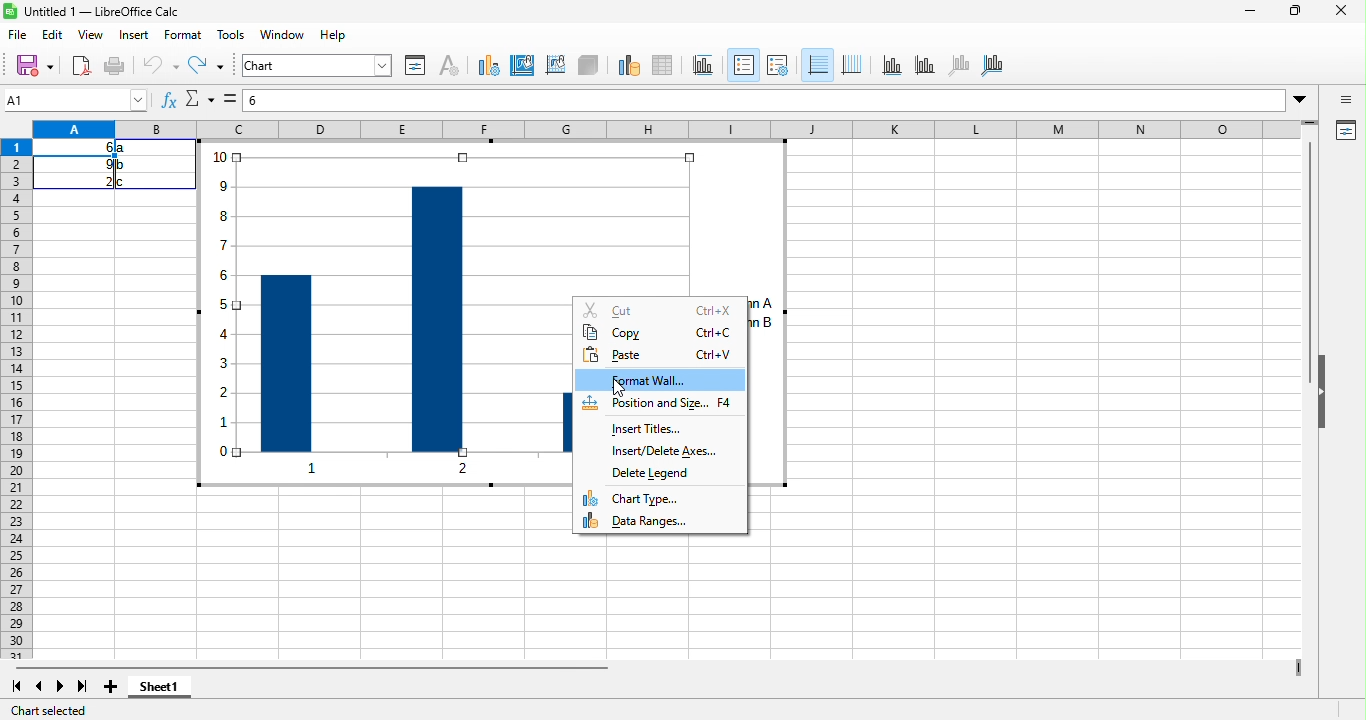 This screenshot has width=1366, height=720. What do you see at coordinates (316, 66) in the screenshot?
I see `chart ` at bounding box center [316, 66].